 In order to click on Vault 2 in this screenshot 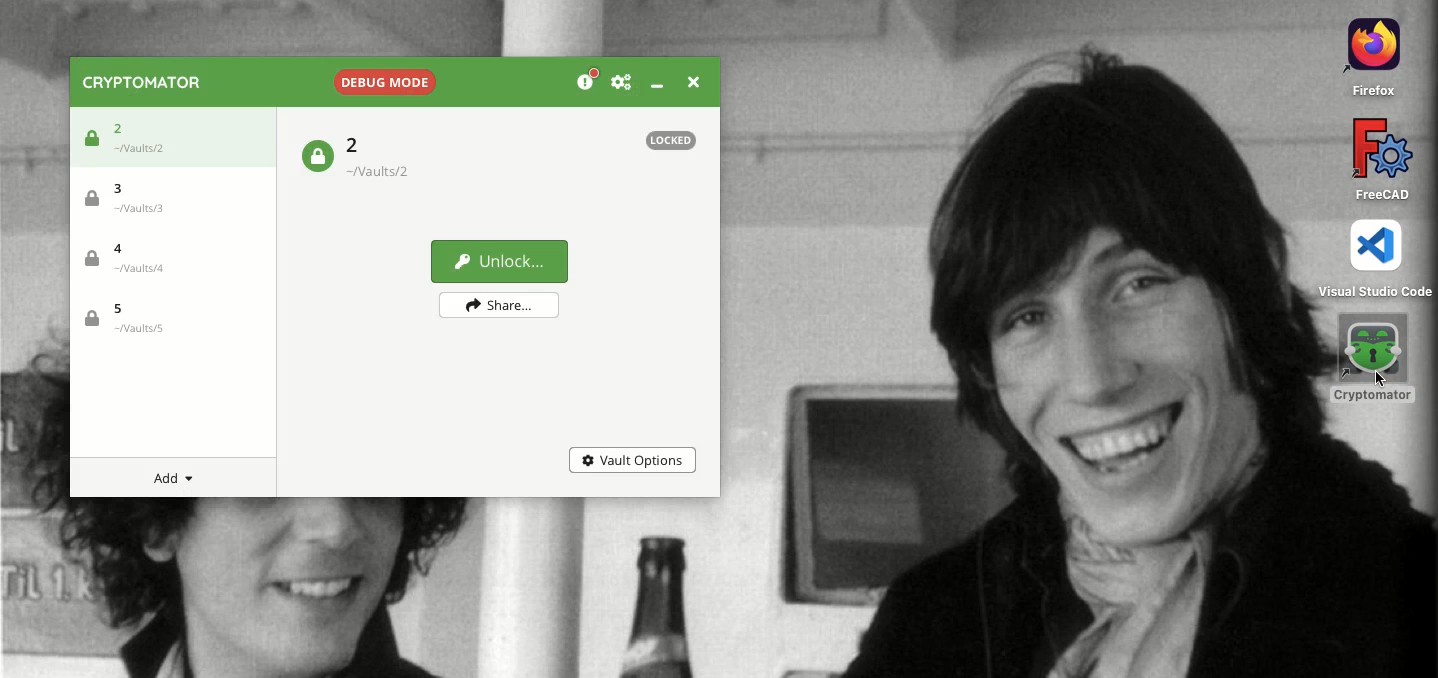, I will do `click(390, 158)`.